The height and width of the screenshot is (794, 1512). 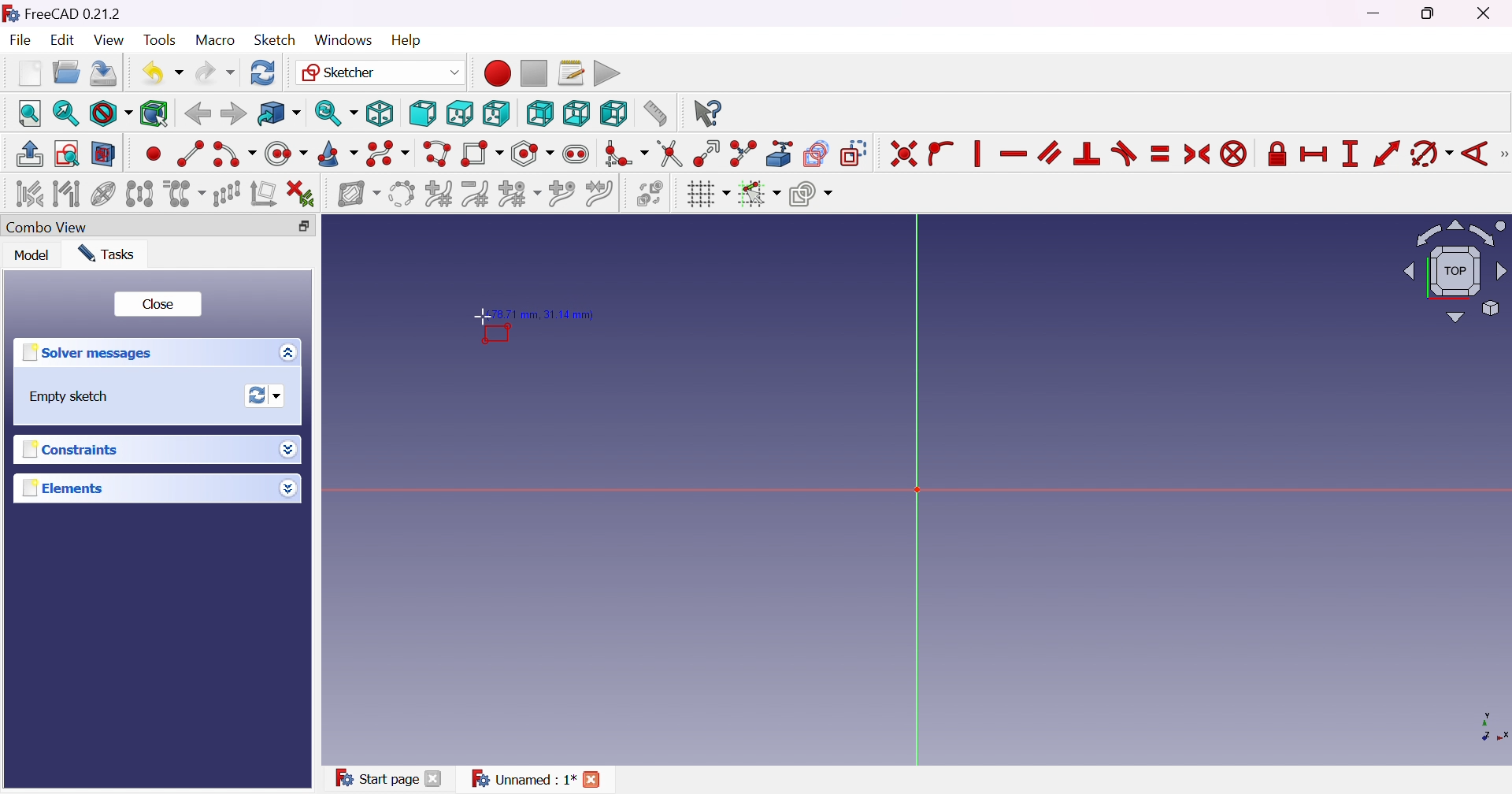 I want to click on Close, so click(x=160, y=302).